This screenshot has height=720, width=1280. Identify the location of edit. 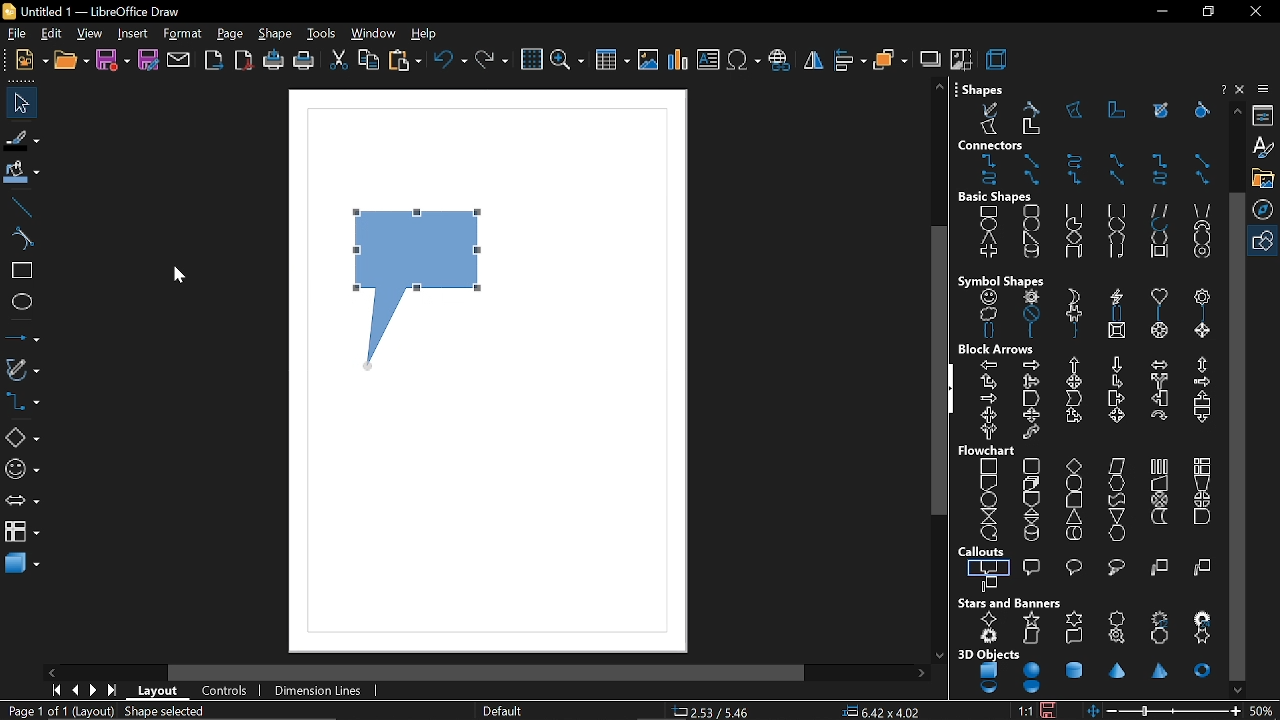
(50, 34).